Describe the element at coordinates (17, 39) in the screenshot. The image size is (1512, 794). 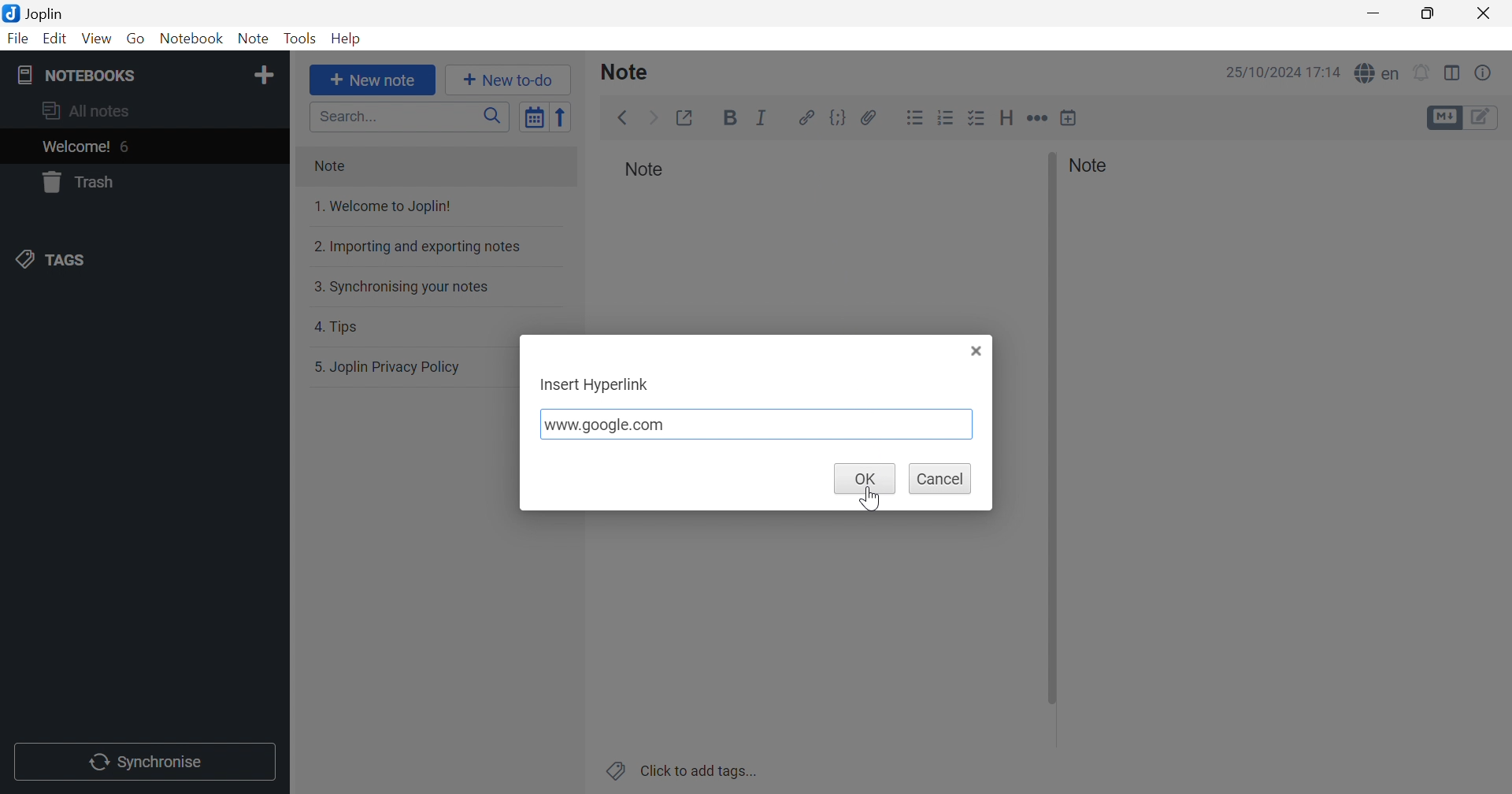
I see `File` at that location.